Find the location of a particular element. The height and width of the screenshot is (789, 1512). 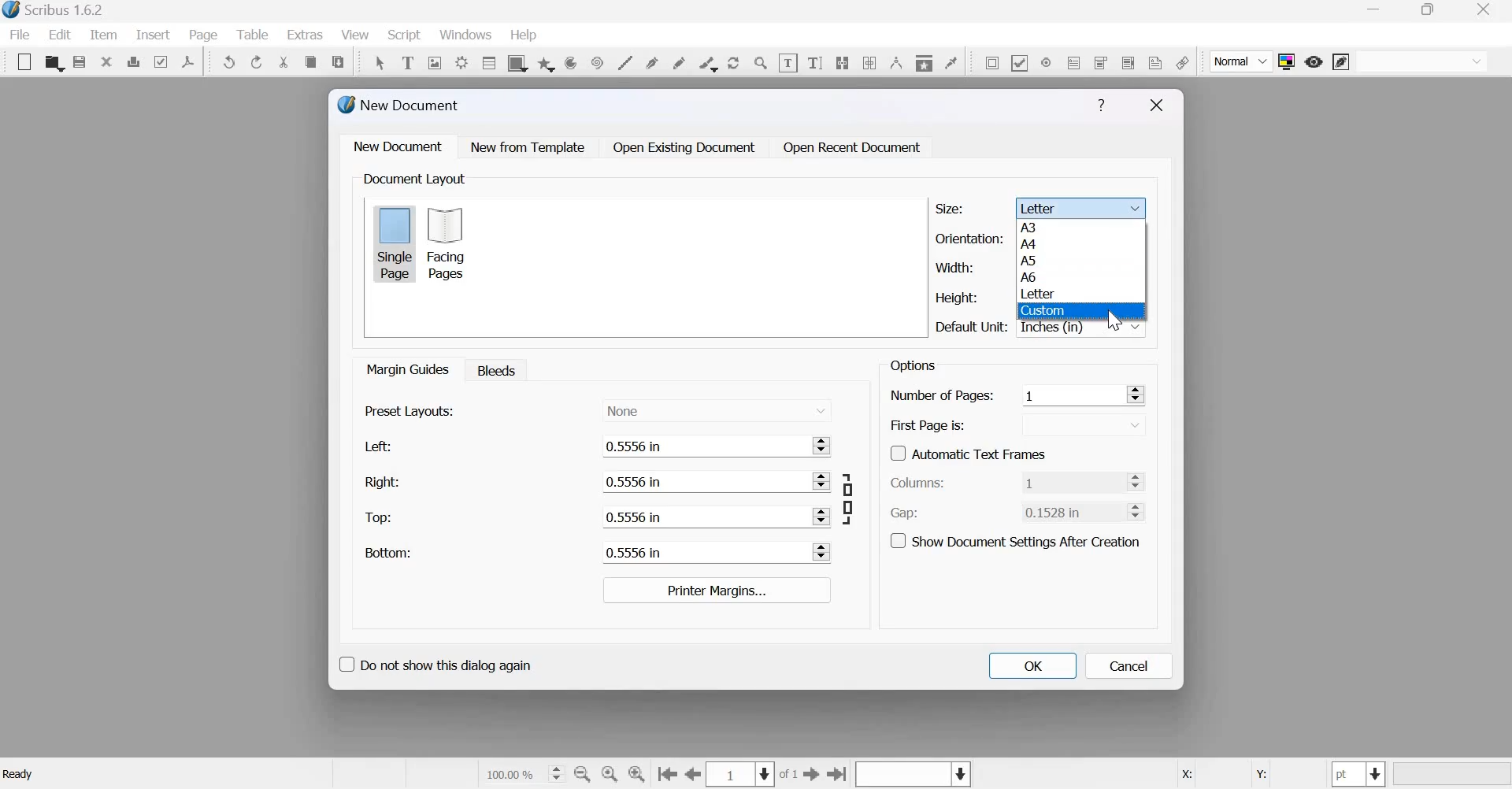

arc is located at coordinates (546, 62).